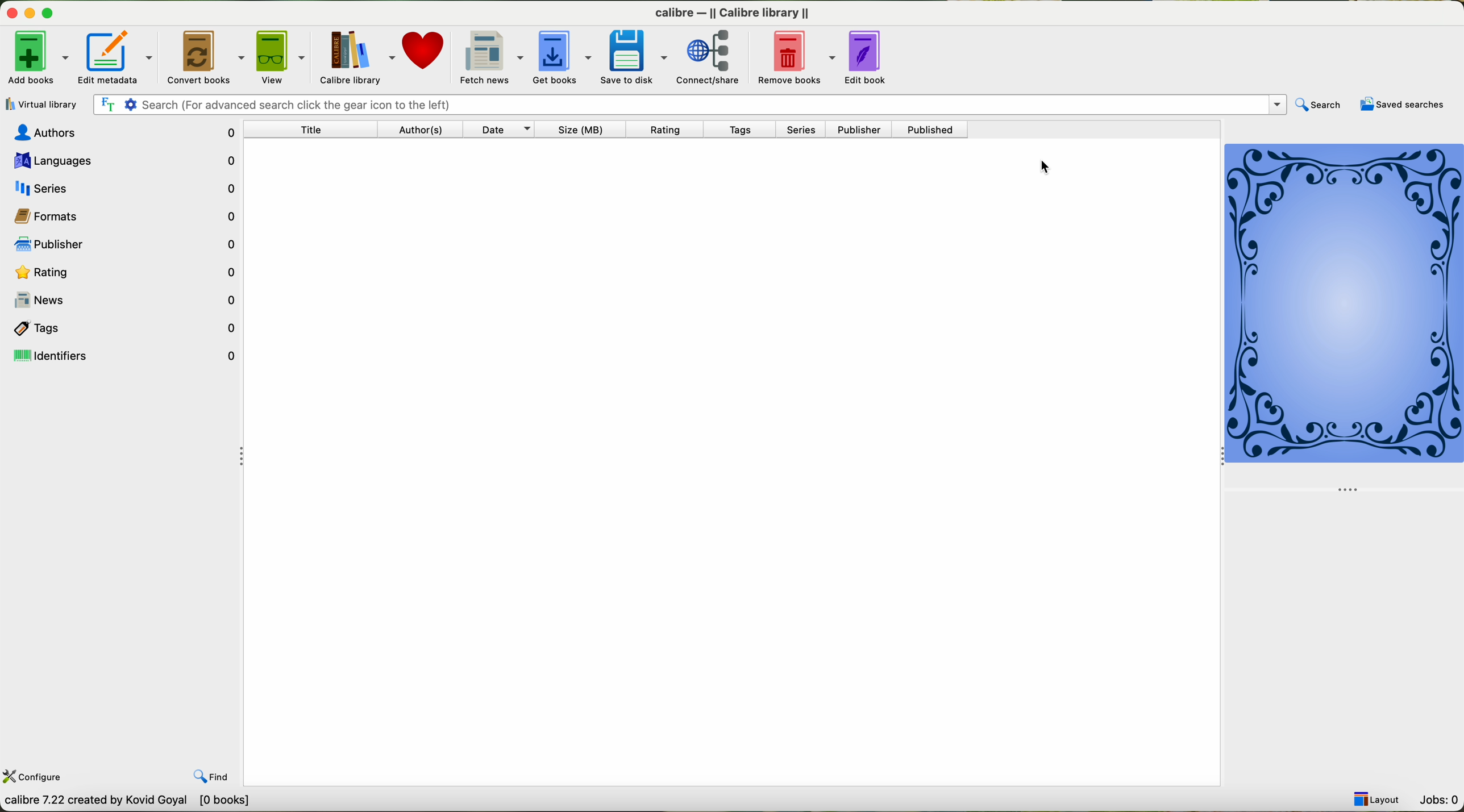 This screenshot has width=1464, height=812. What do you see at coordinates (426, 51) in the screenshot?
I see `donate` at bounding box center [426, 51].